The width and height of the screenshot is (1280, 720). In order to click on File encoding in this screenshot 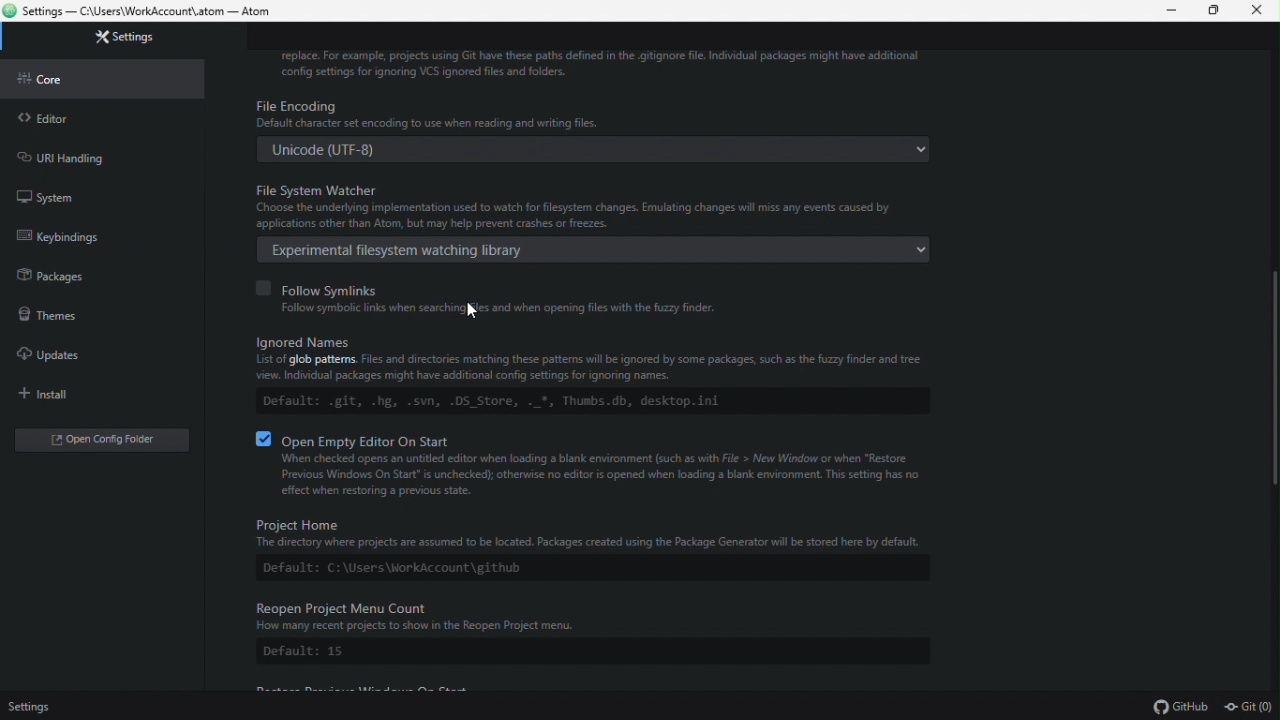, I will do `click(596, 128)`.